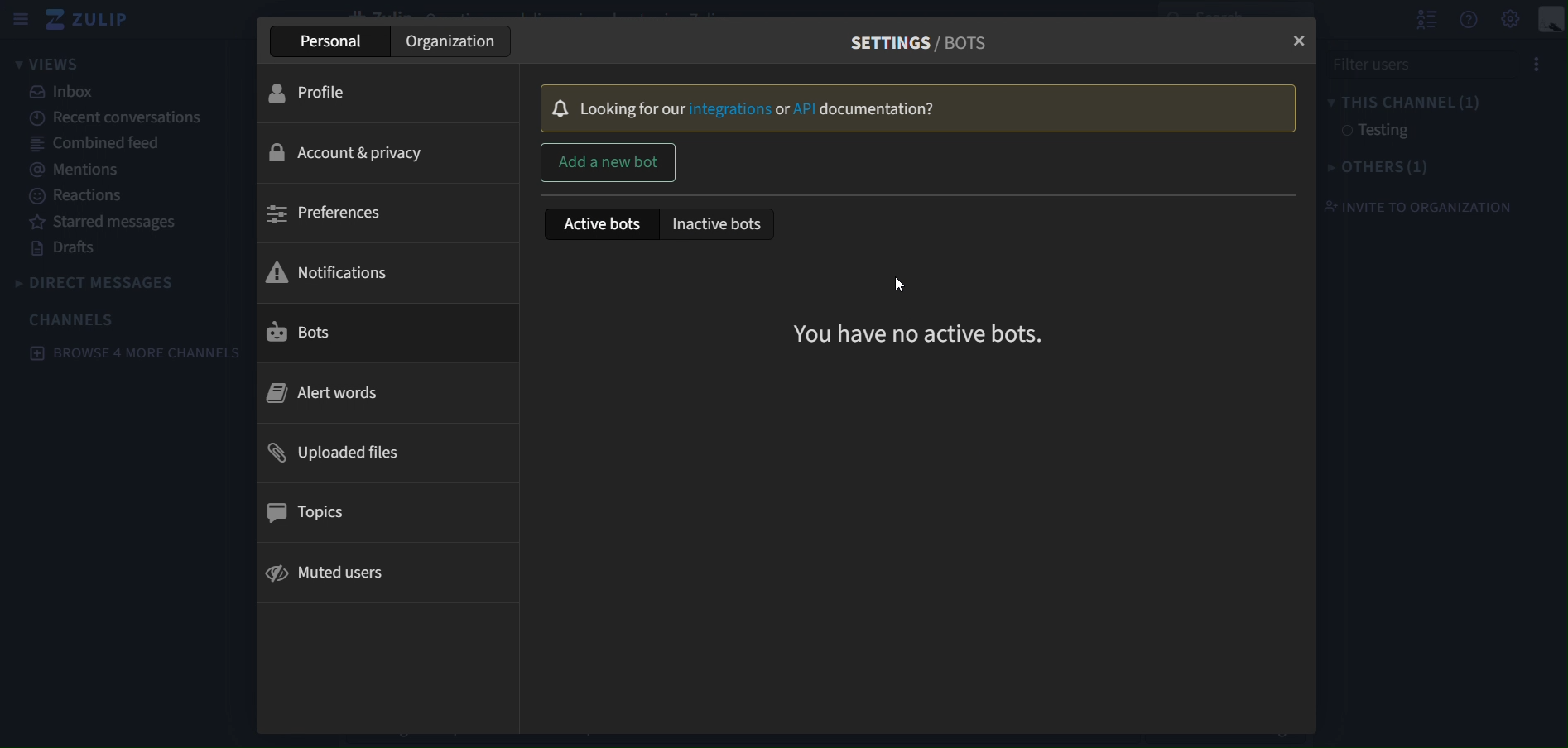 The height and width of the screenshot is (748, 1568). What do you see at coordinates (338, 453) in the screenshot?
I see `uploaded files` at bounding box center [338, 453].